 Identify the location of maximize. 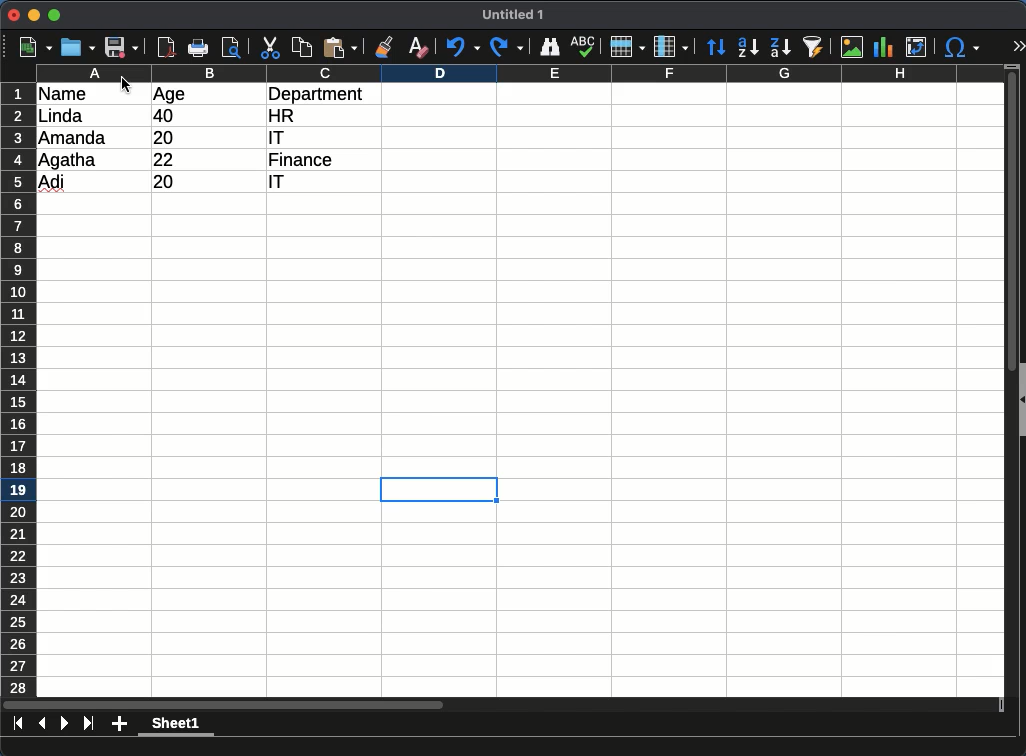
(56, 14).